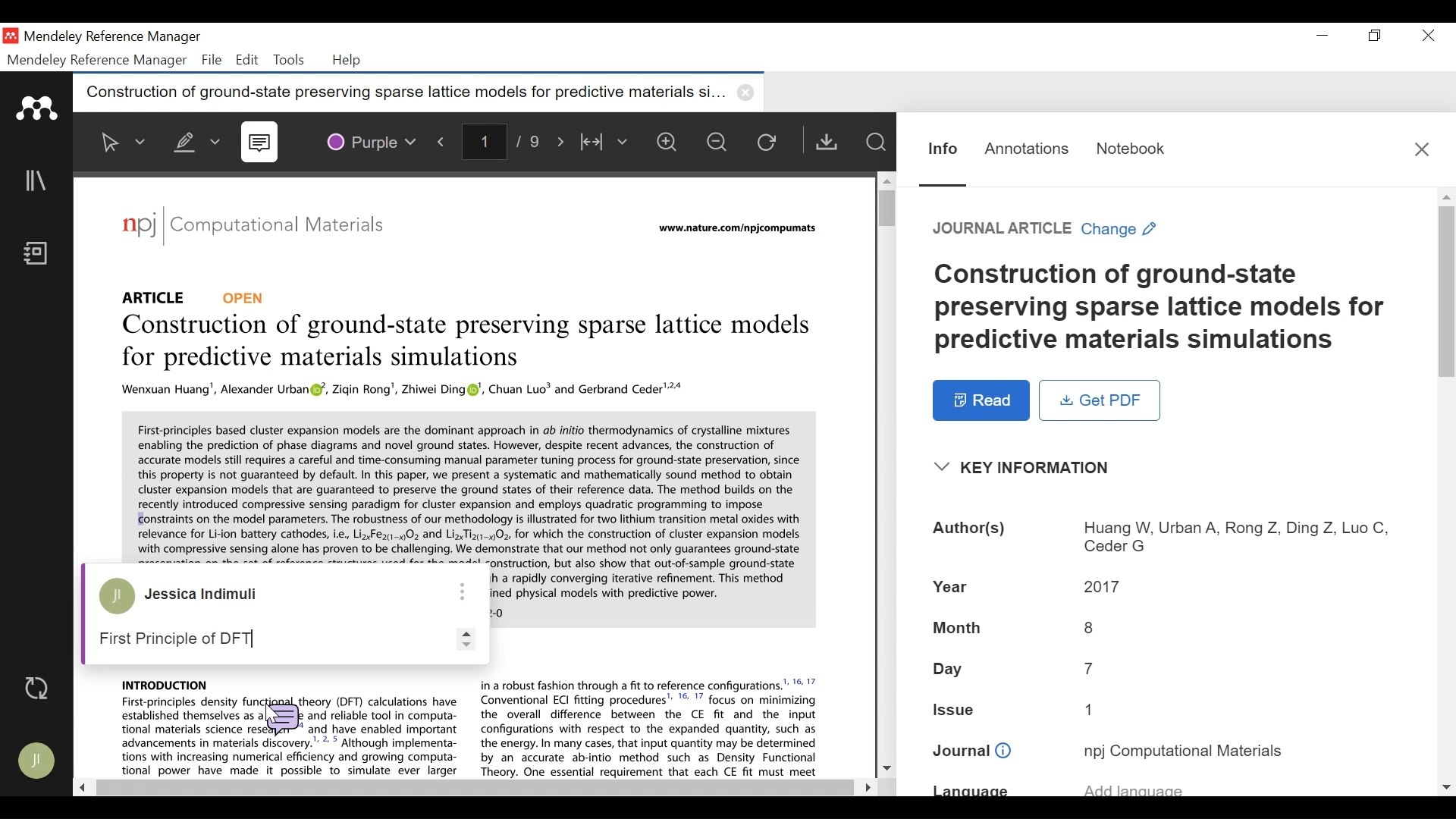 The image size is (1456, 819). What do you see at coordinates (288, 60) in the screenshot?
I see `Tools` at bounding box center [288, 60].